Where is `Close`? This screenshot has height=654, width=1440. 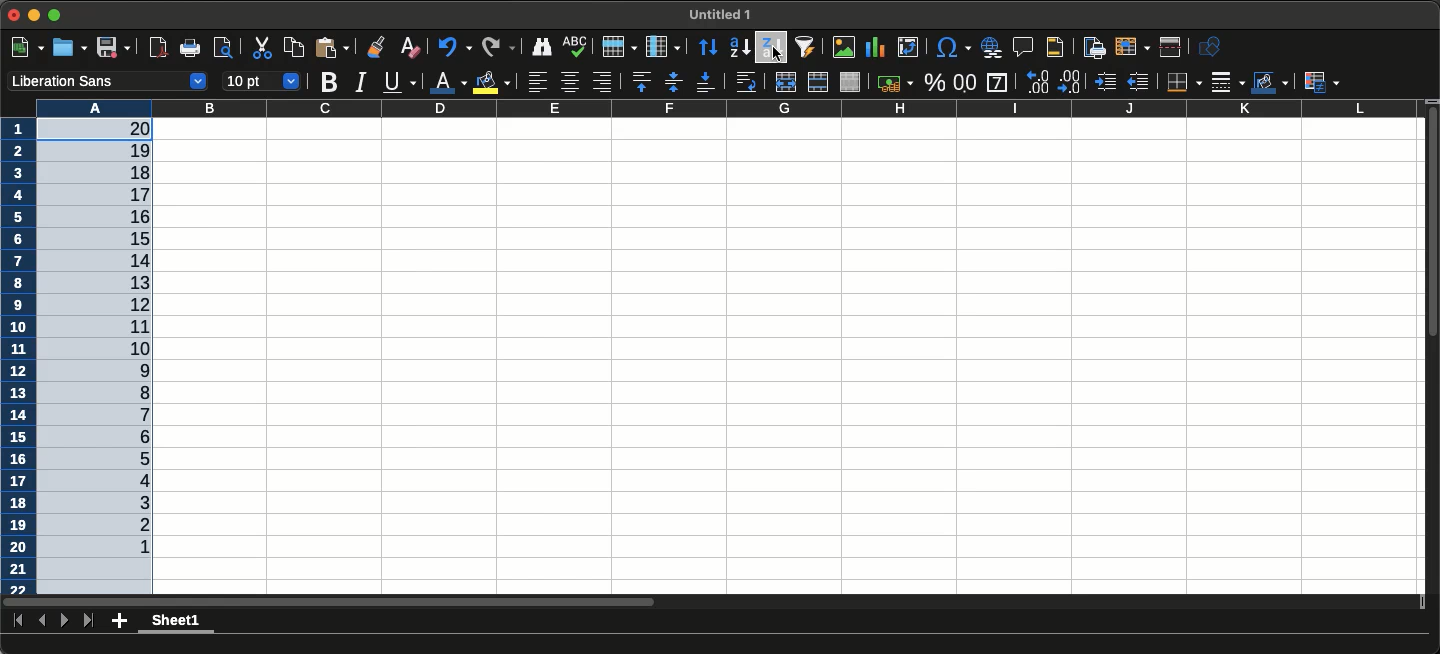 Close is located at coordinates (16, 16).